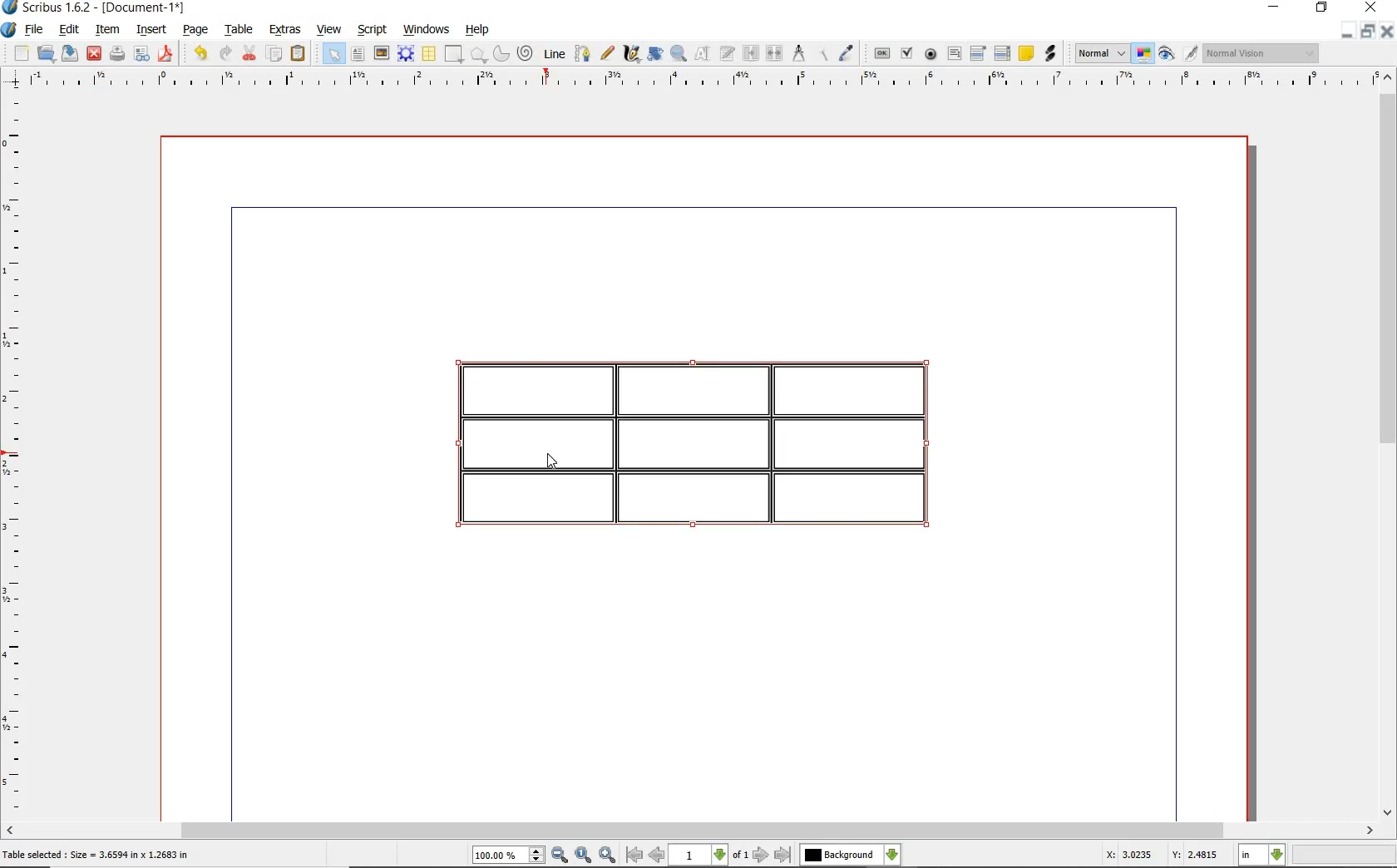 The width and height of the screenshot is (1397, 868). What do you see at coordinates (476, 31) in the screenshot?
I see `help` at bounding box center [476, 31].